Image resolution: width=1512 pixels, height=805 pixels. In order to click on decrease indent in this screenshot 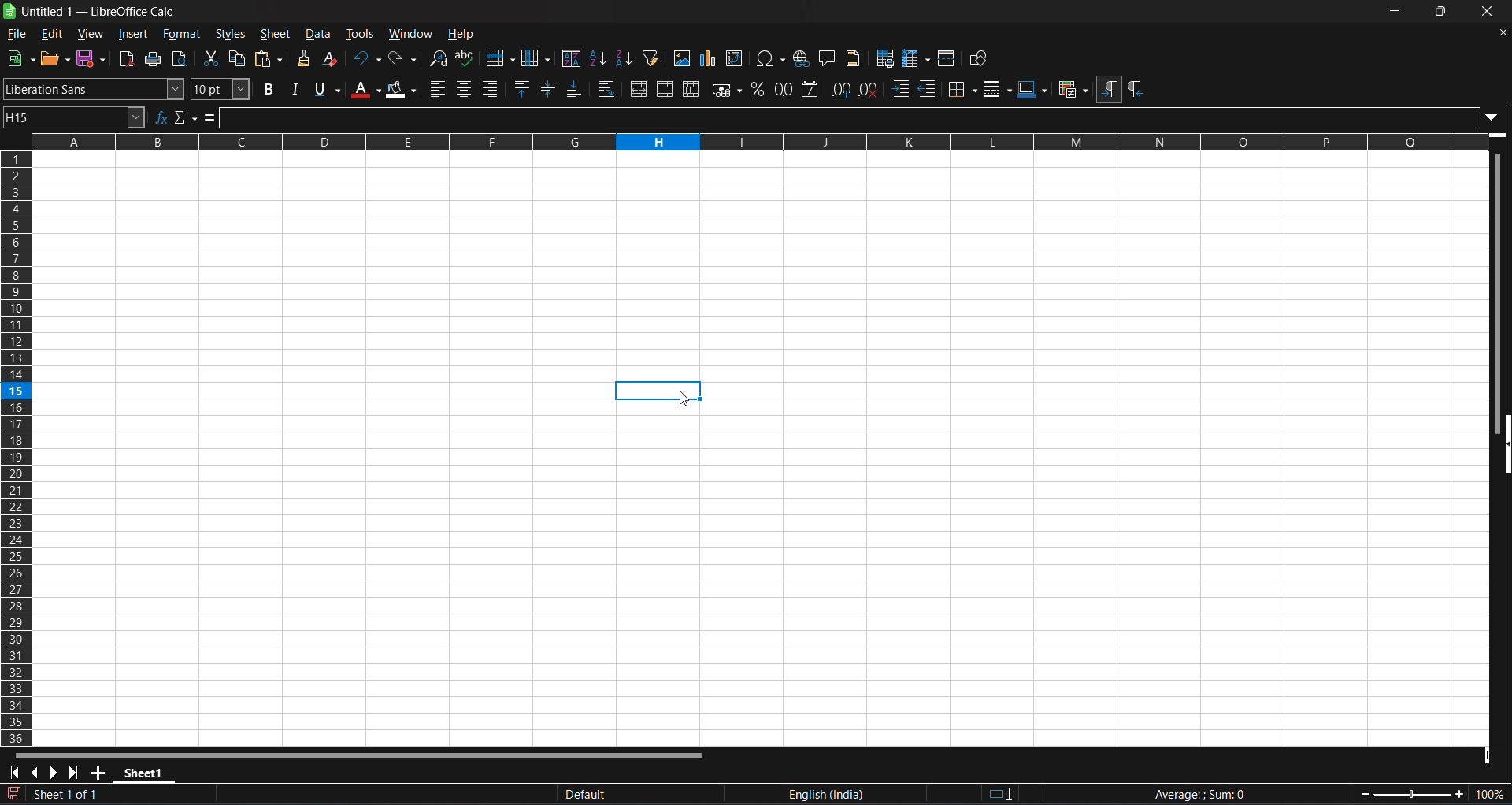, I will do `click(927, 88)`.